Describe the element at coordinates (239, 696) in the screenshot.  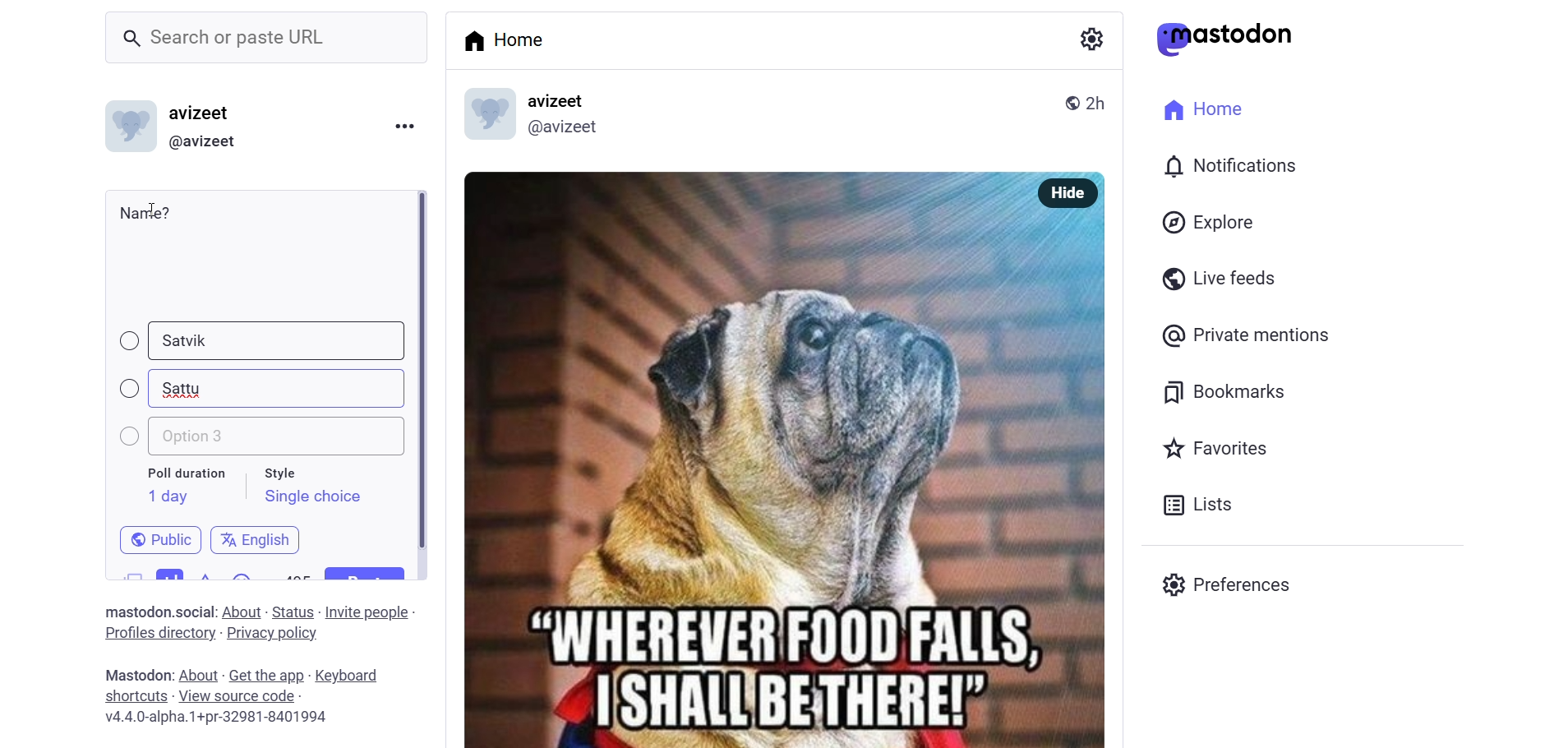
I see `source code` at that location.